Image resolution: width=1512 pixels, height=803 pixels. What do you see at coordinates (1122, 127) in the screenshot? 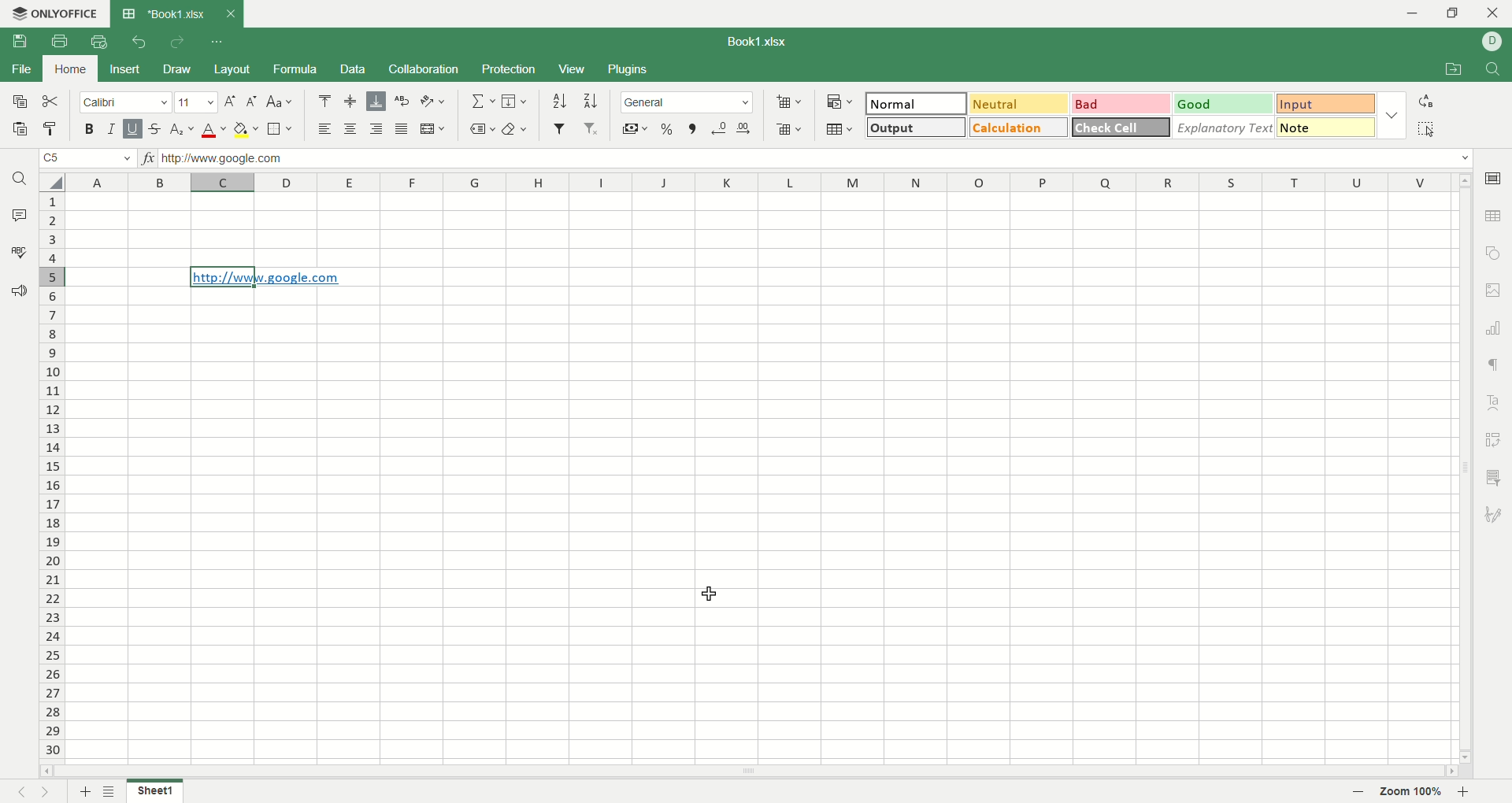
I see `check cell` at bounding box center [1122, 127].